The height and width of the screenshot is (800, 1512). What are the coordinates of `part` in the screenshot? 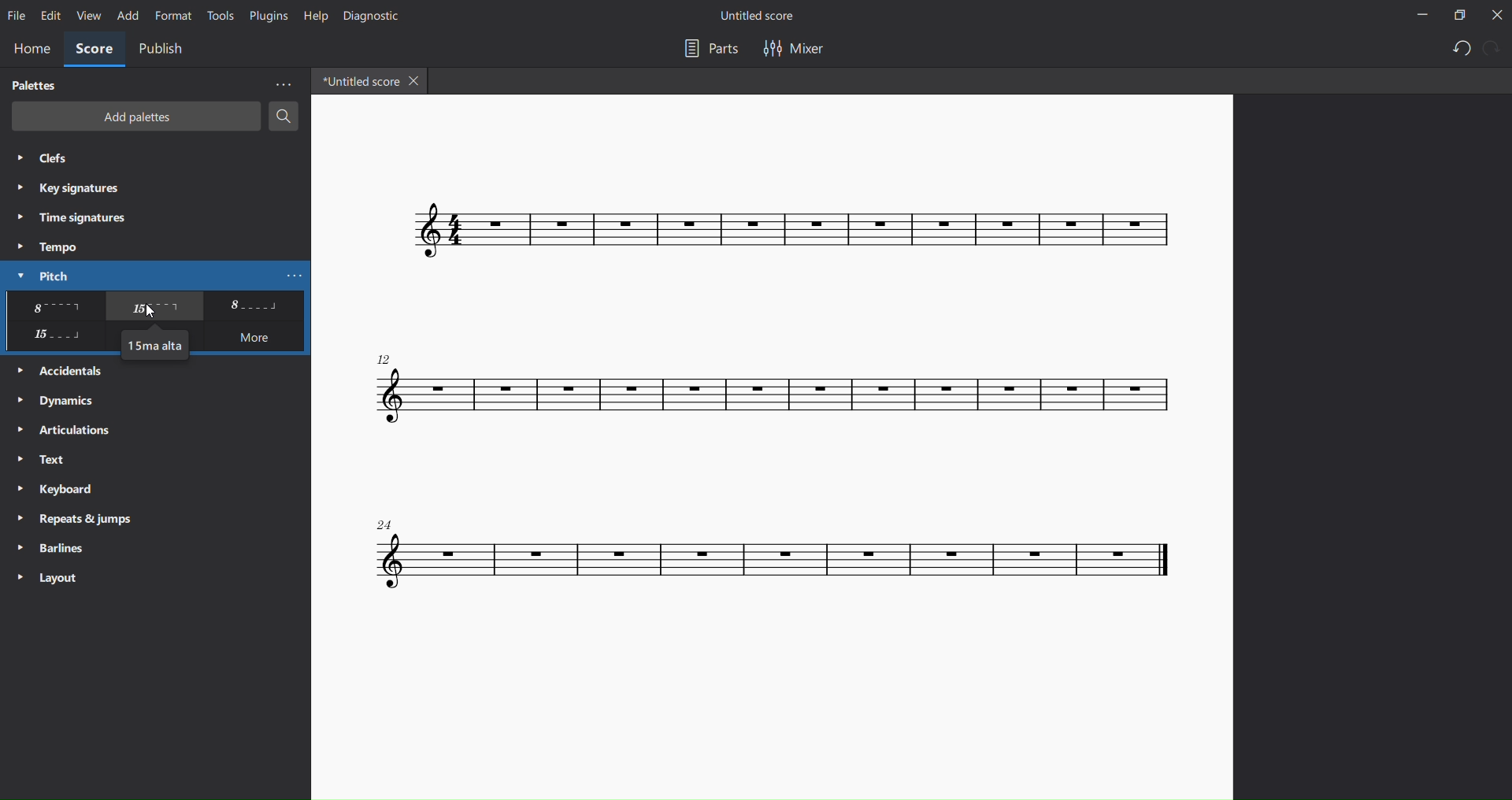 It's located at (710, 52).